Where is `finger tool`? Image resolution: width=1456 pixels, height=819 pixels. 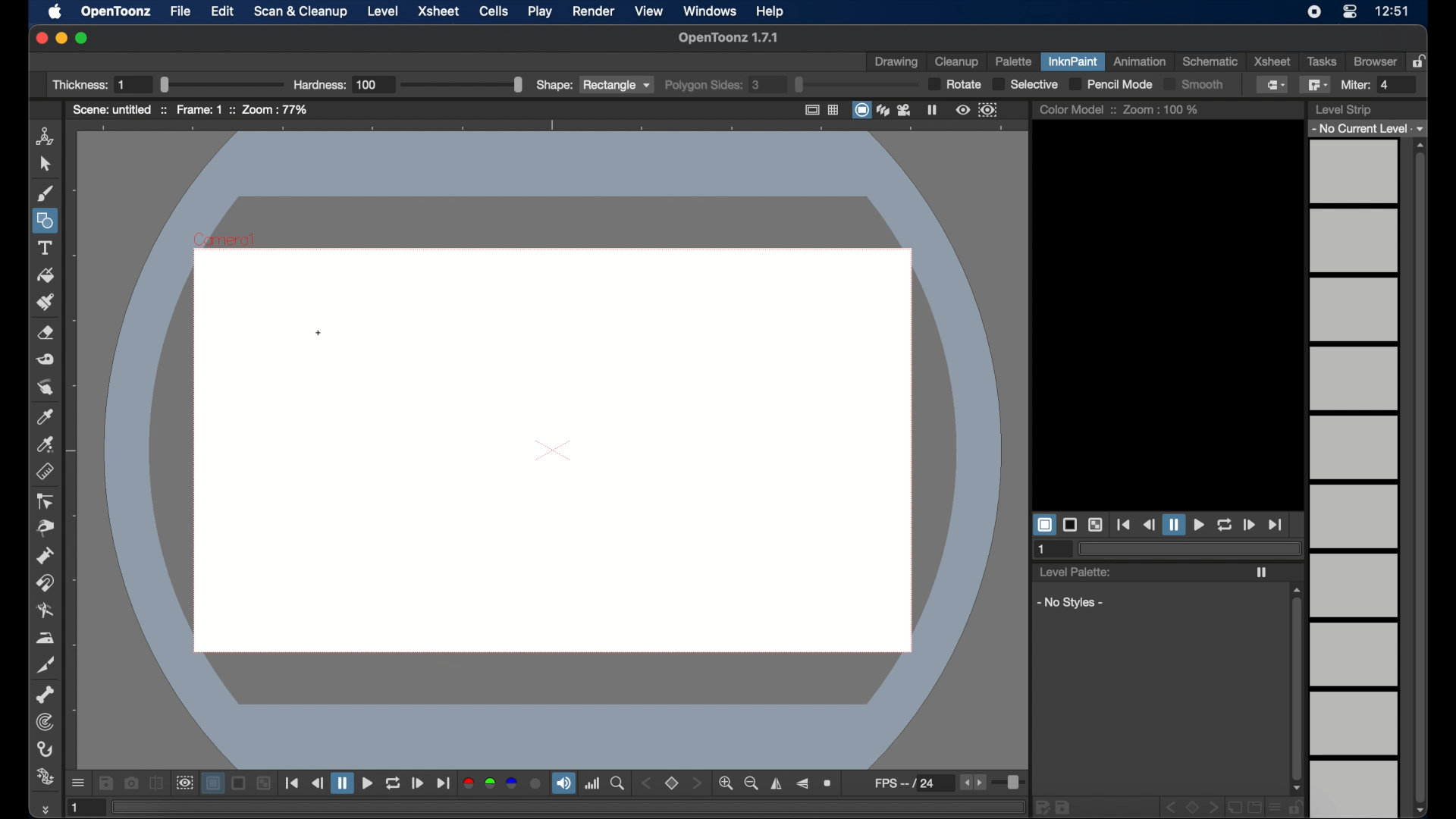
finger tool is located at coordinates (45, 388).